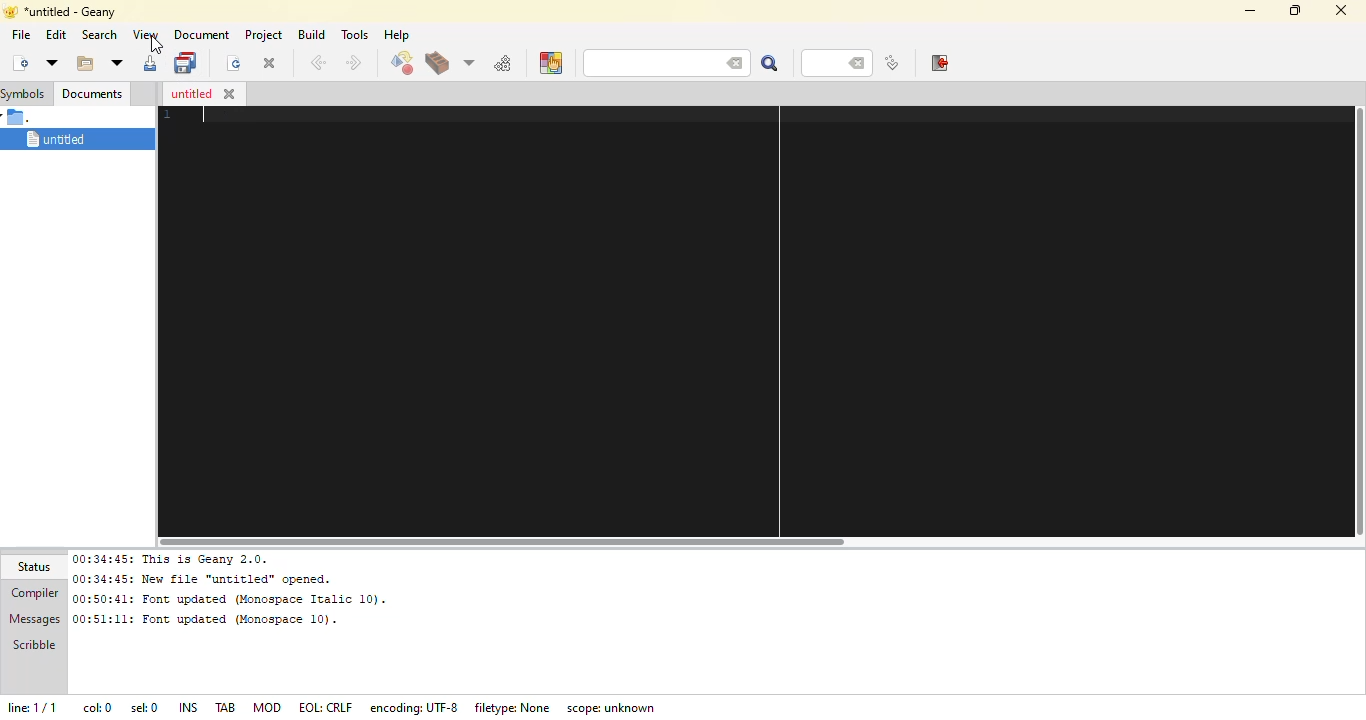 The image size is (1366, 720). What do you see at coordinates (641, 63) in the screenshot?
I see `search` at bounding box center [641, 63].